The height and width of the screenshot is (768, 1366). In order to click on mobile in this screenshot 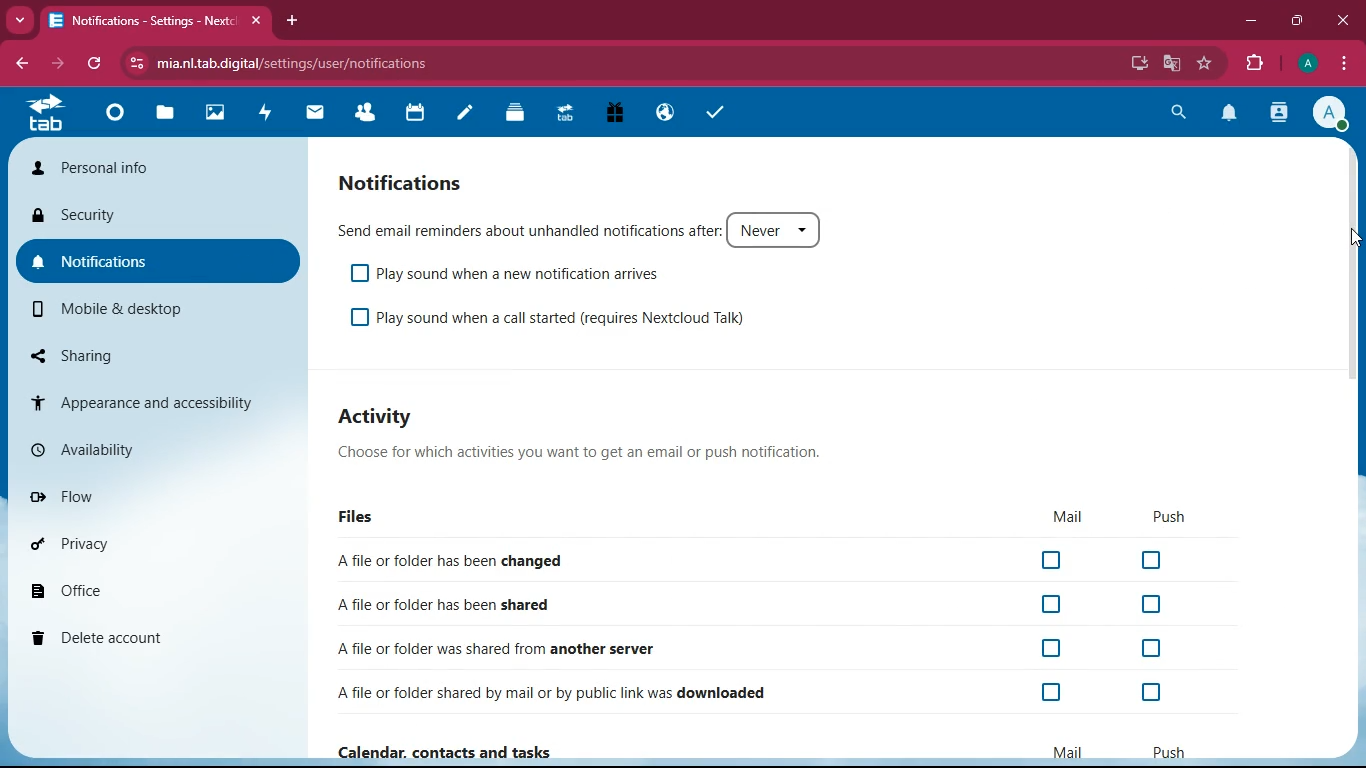, I will do `click(157, 312)`.